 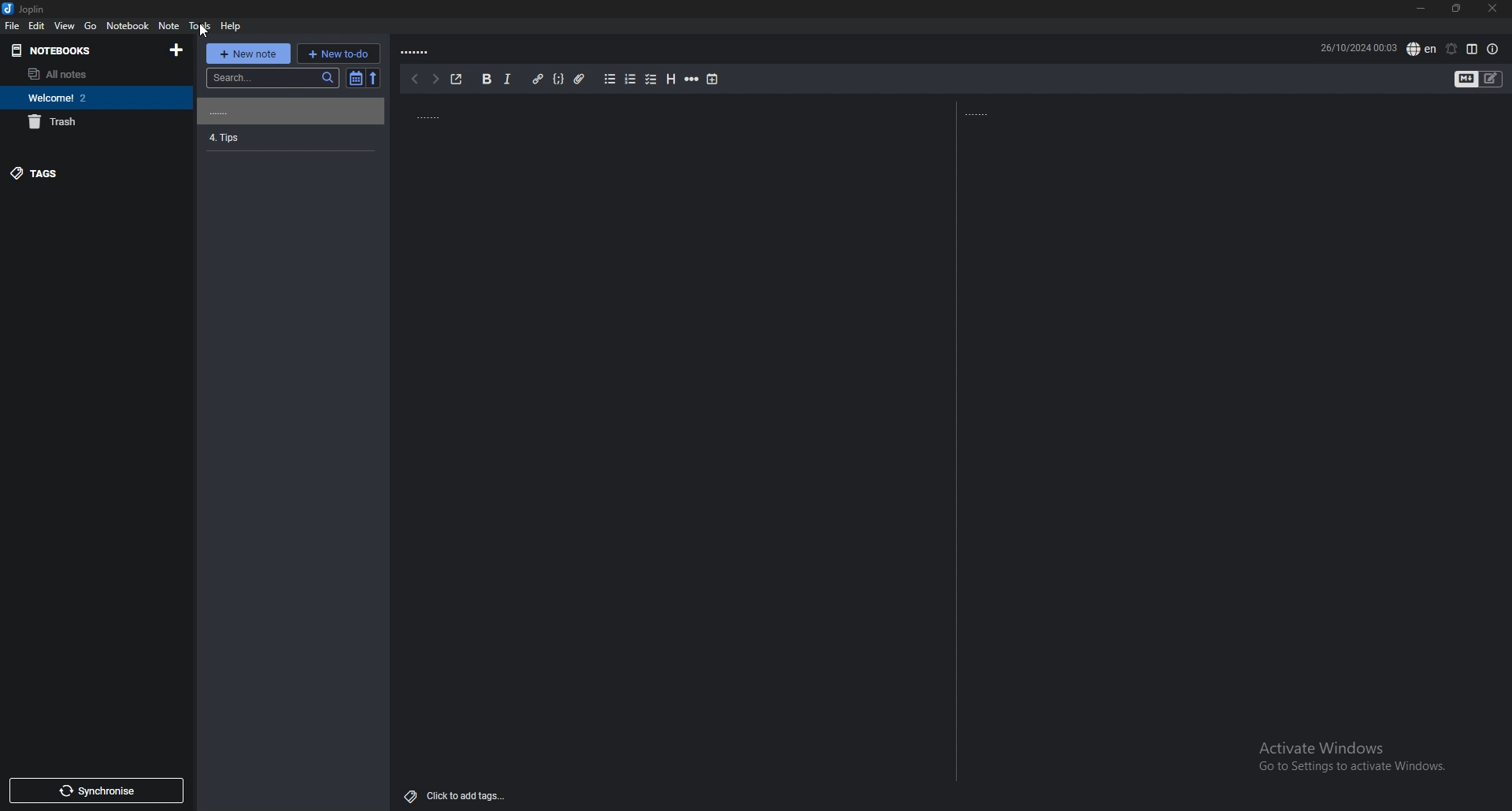 I want to click on tools, so click(x=200, y=26).